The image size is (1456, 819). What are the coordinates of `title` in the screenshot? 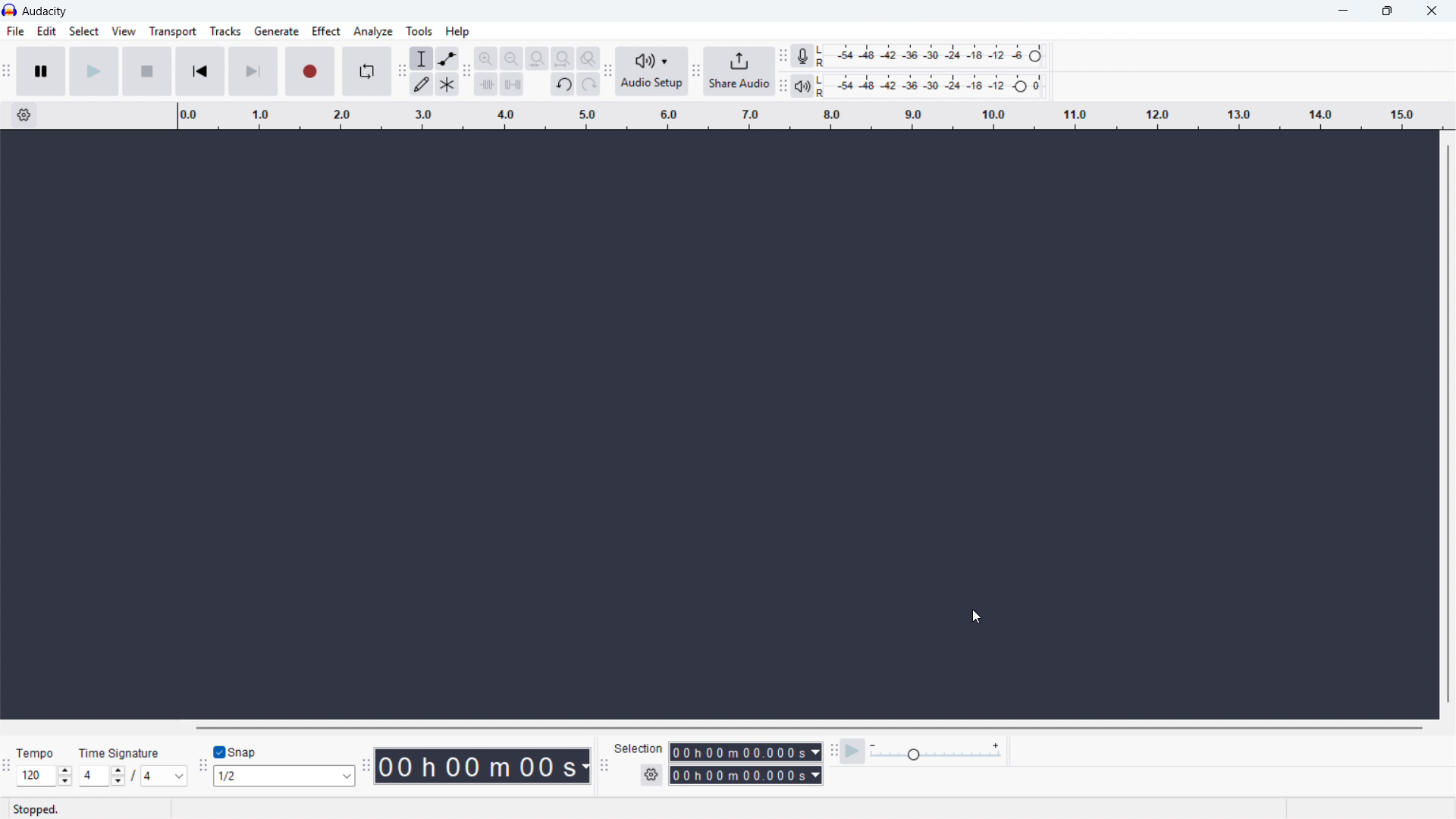 It's located at (45, 11).